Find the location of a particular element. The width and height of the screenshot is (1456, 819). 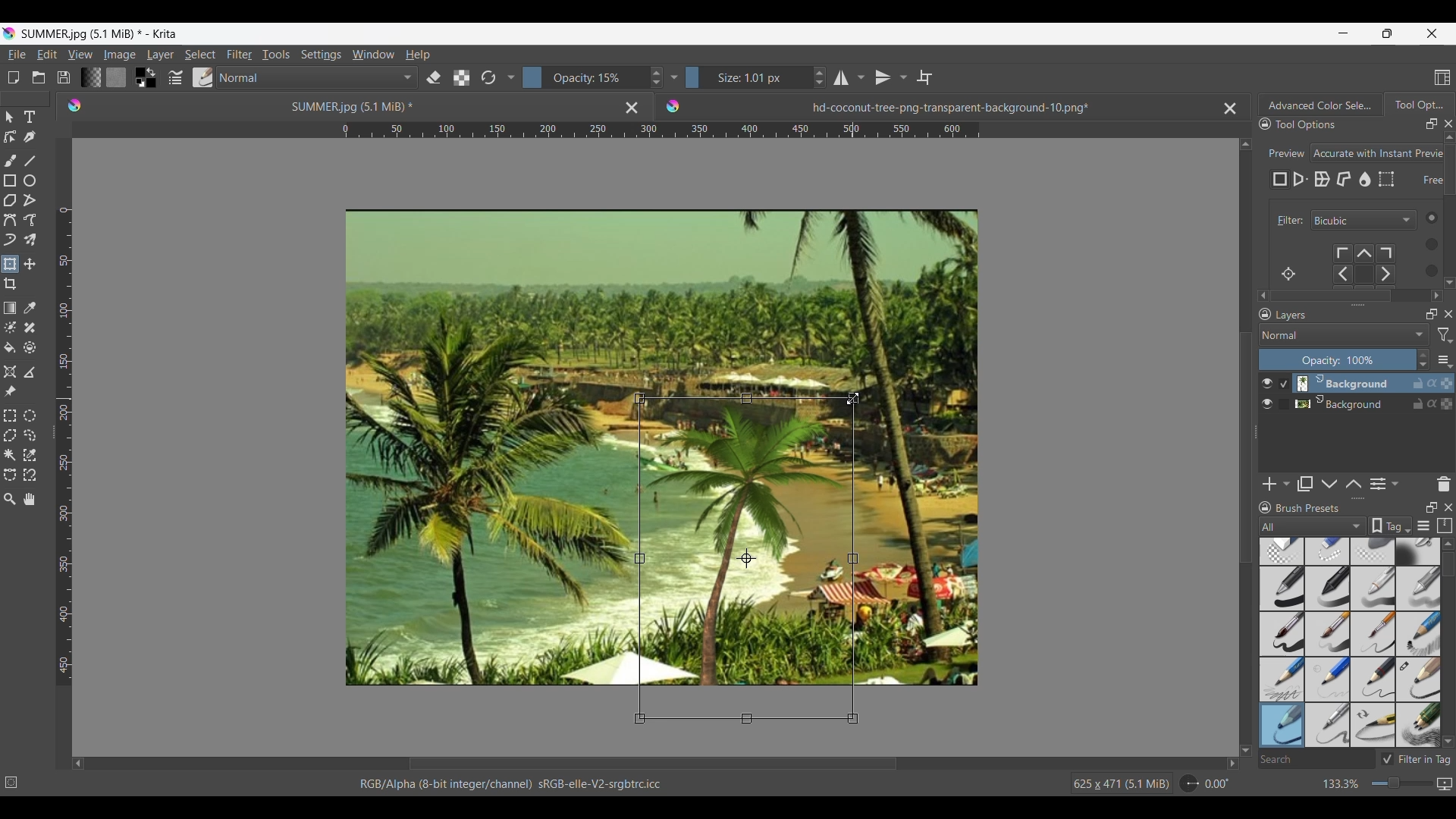

Warp is located at coordinates (1322, 180).